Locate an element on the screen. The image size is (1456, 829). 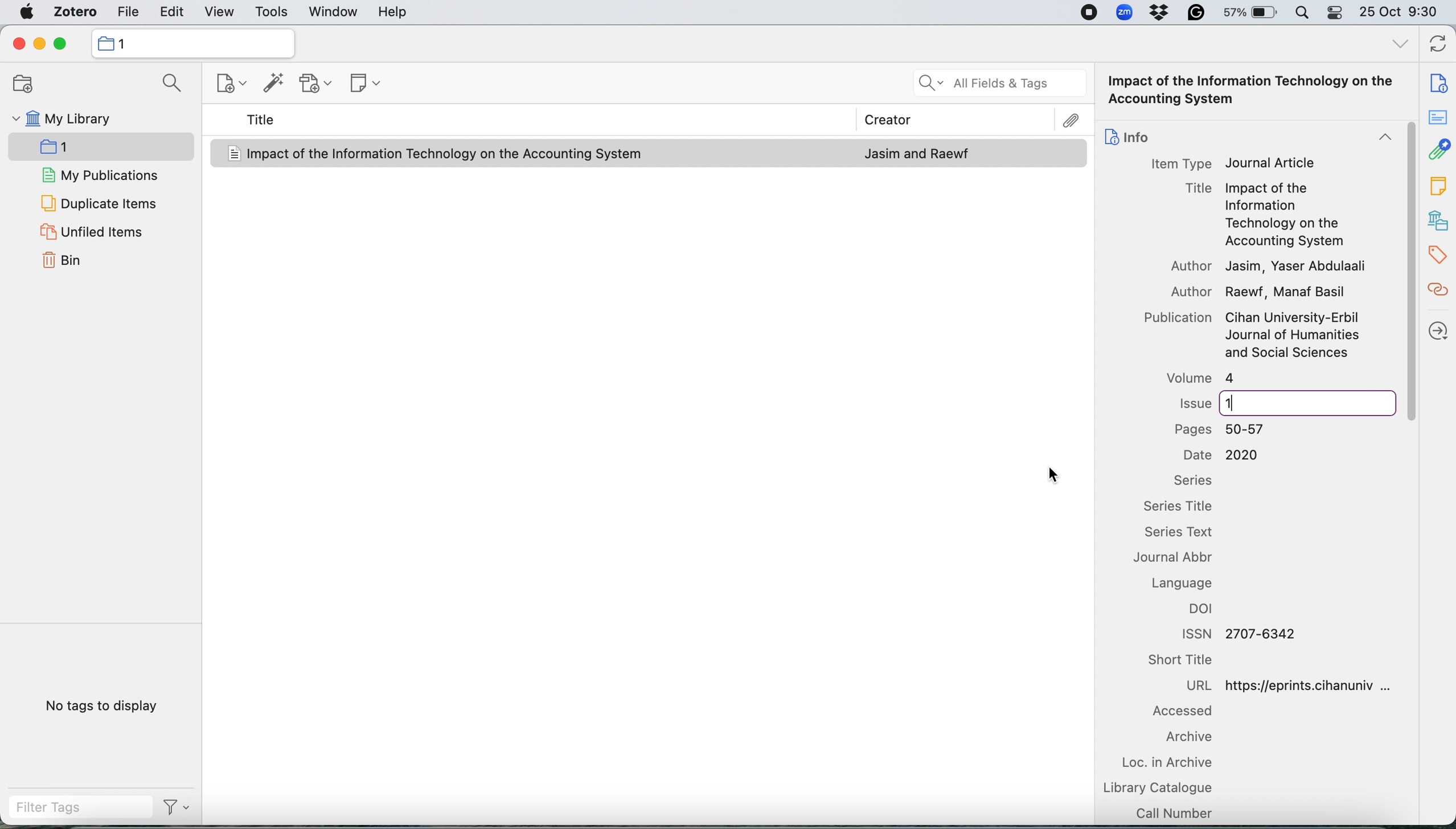
close is located at coordinates (15, 44).